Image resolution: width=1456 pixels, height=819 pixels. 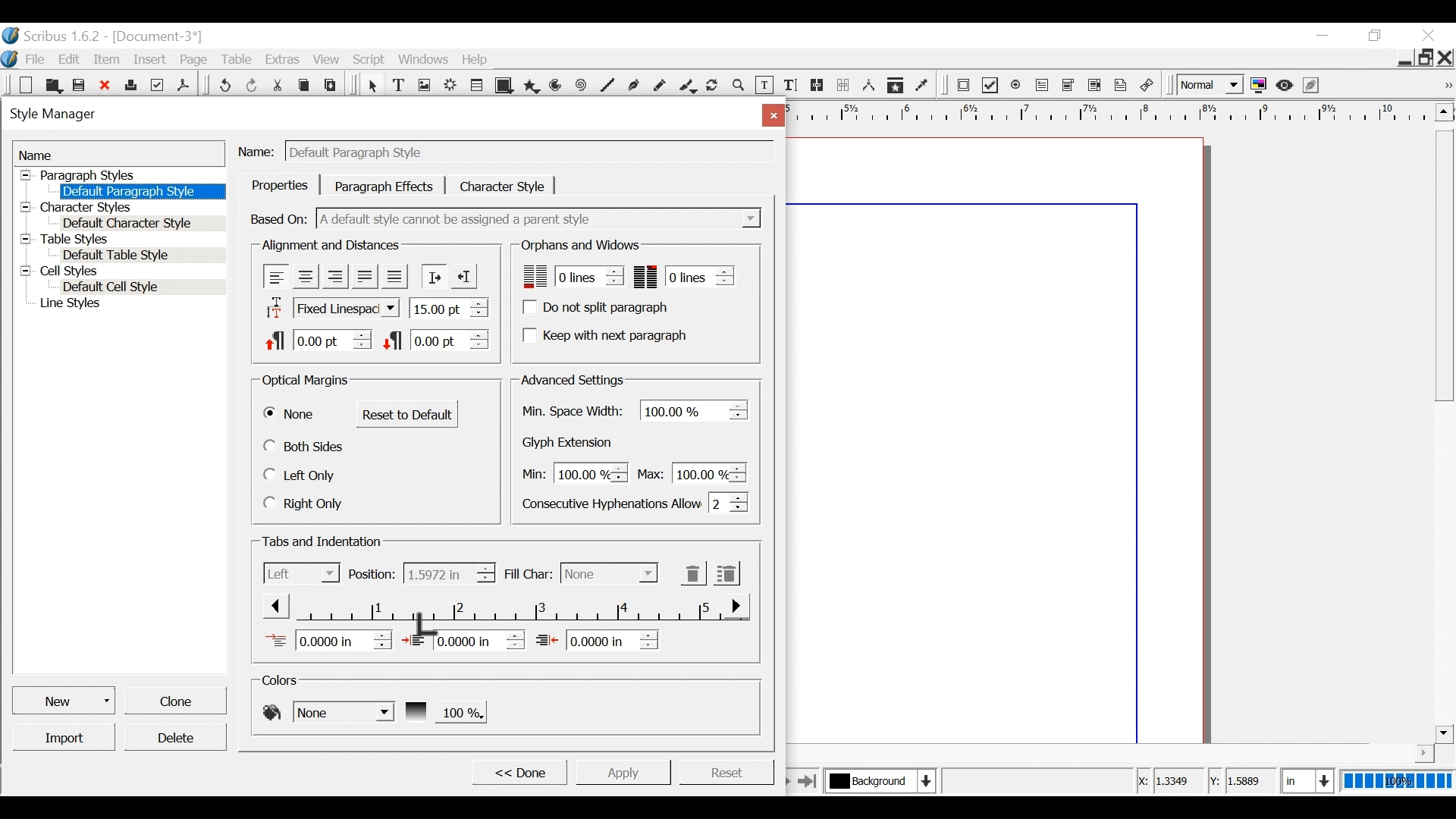 What do you see at coordinates (152, 58) in the screenshot?
I see `Insert` at bounding box center [152, 58].